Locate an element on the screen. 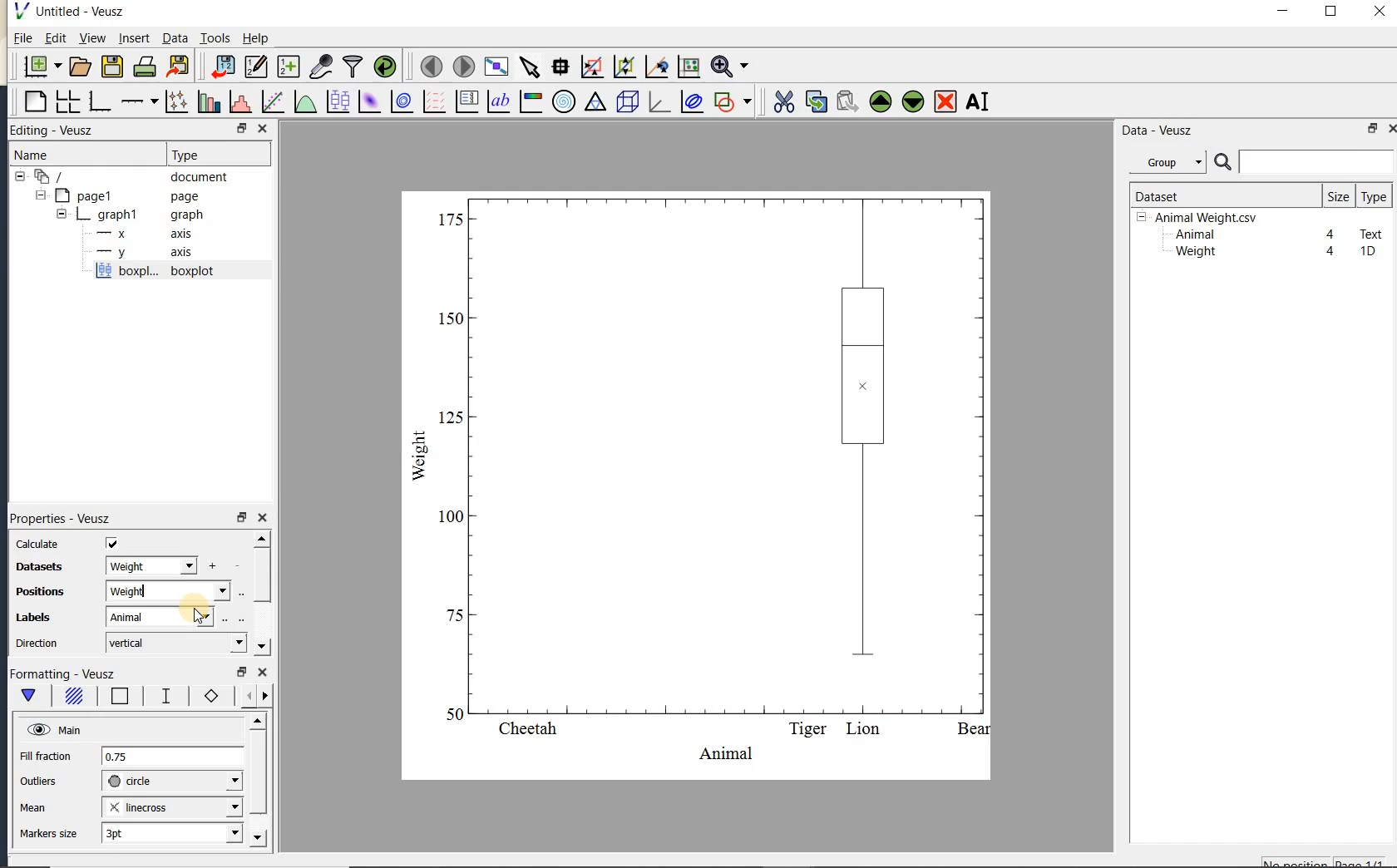  page1 is located at coordinates (119, 197).